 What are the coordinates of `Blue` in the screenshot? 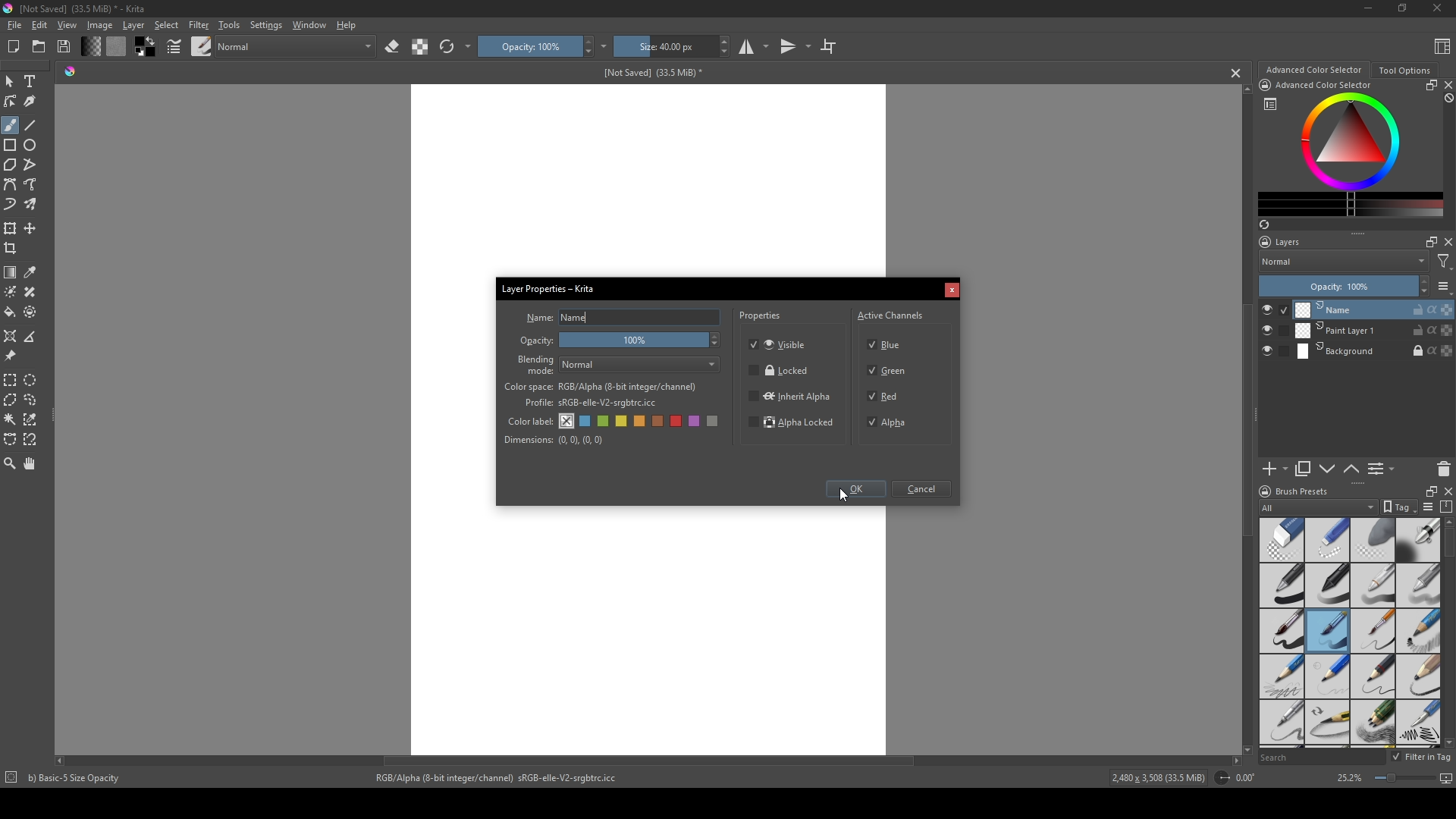 It's located at (888, 343).